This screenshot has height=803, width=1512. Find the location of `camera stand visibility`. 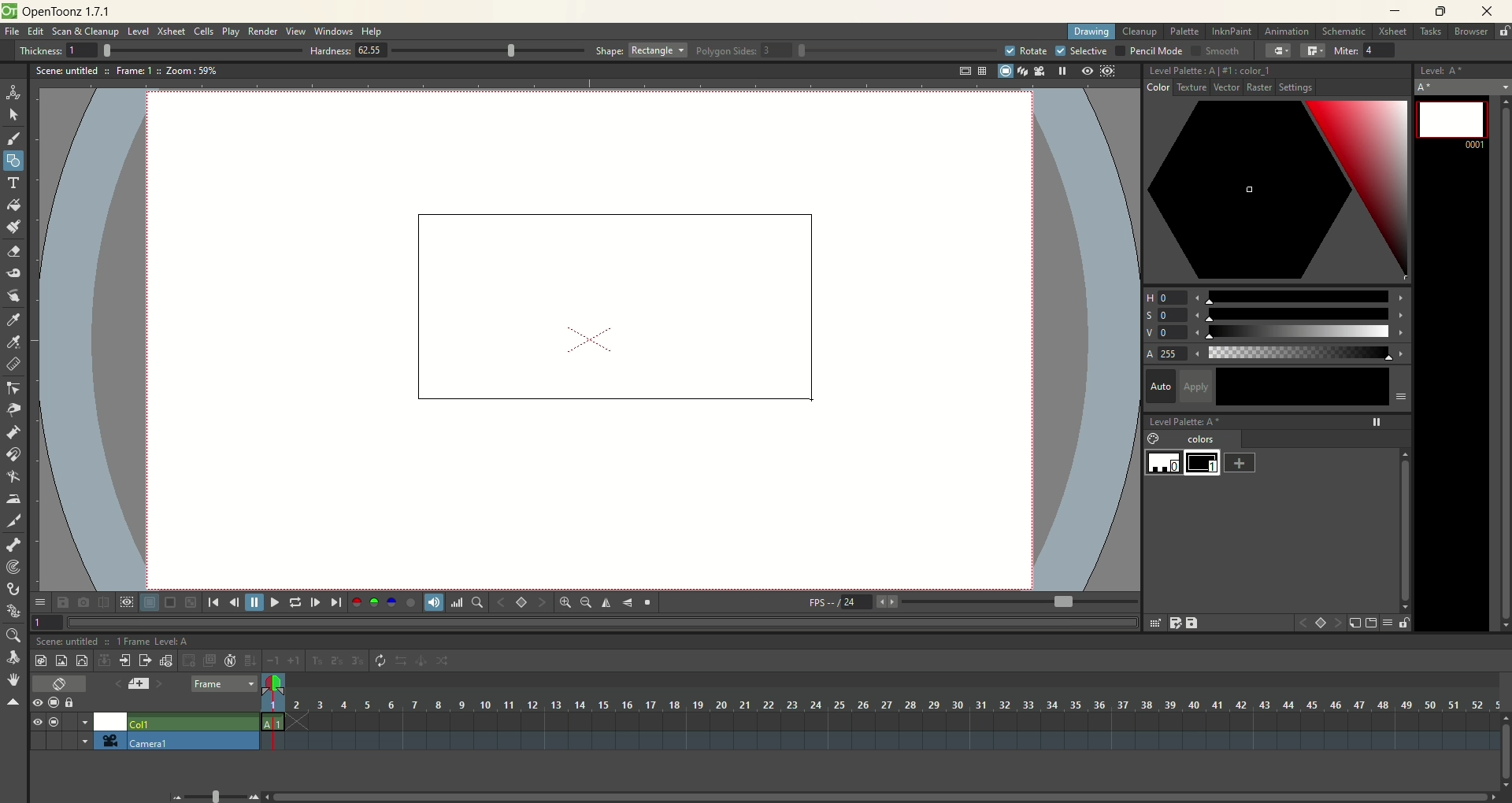

camera stand visibility is located at coordinates (57, 701).